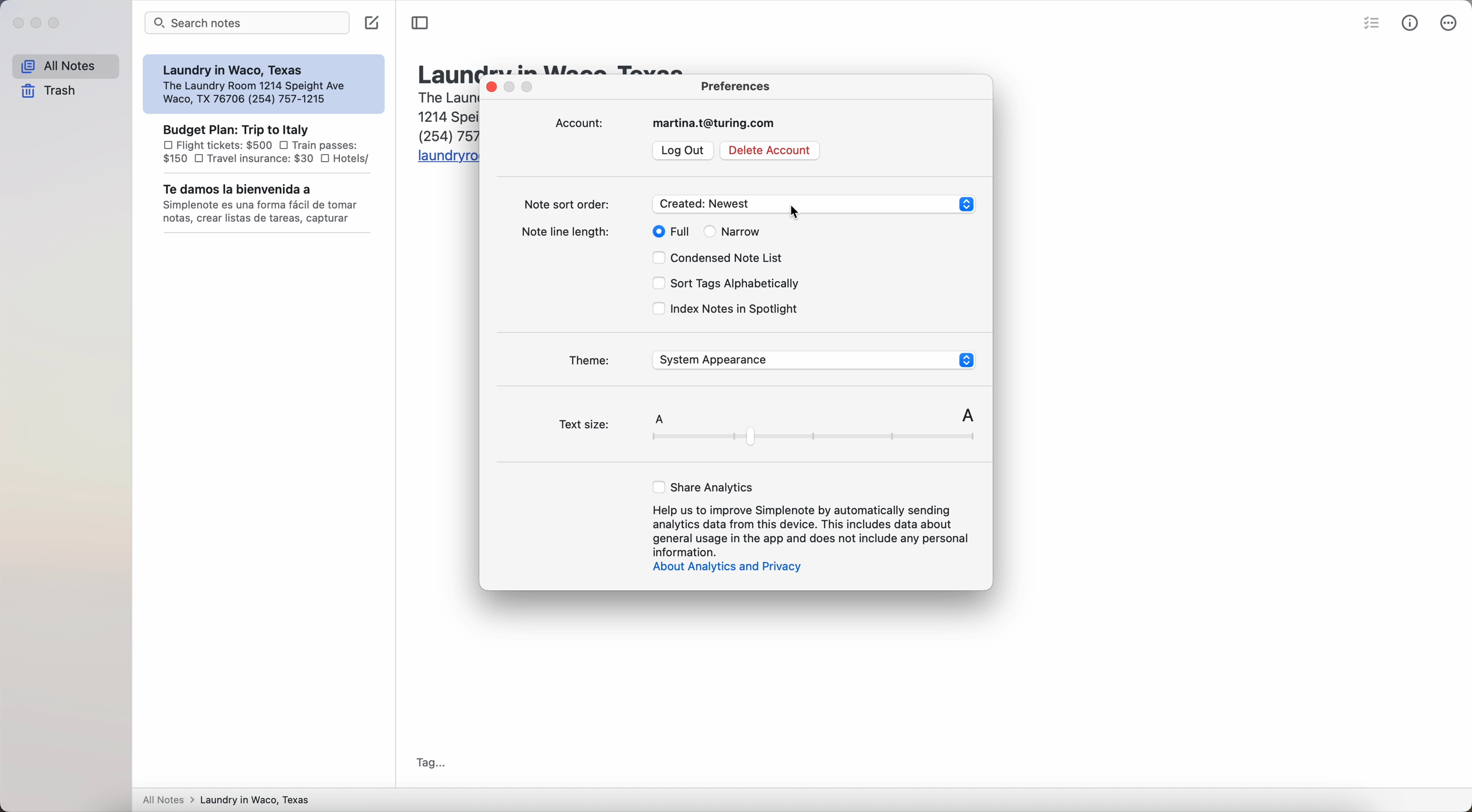 This screenshot has width=1472, height=812. Describe the element at coordinates (531, 87) in the screenshot. I see `disable maximize popup` at that location.